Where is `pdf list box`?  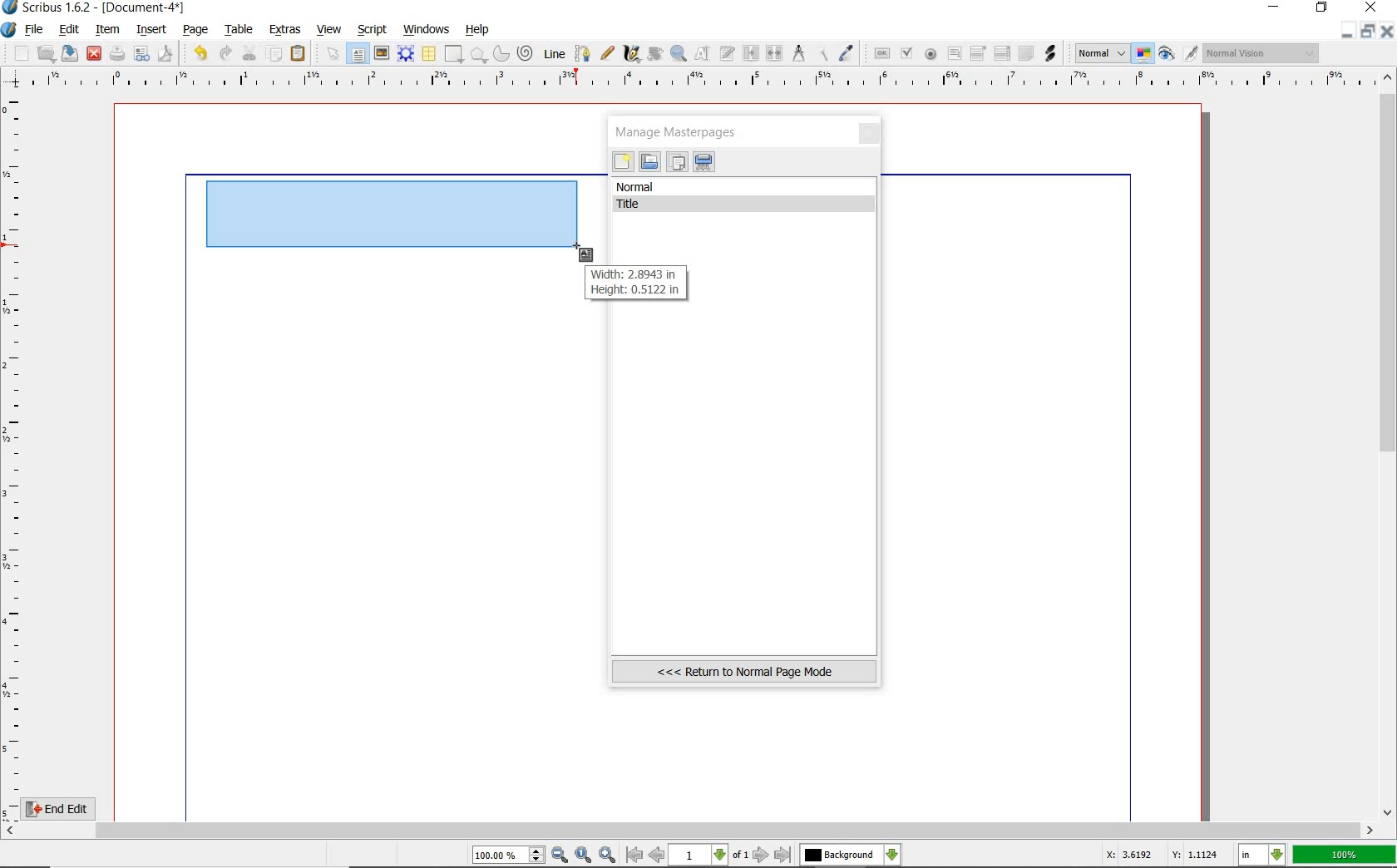 pdf list box is located at coordinates (1001, 55).